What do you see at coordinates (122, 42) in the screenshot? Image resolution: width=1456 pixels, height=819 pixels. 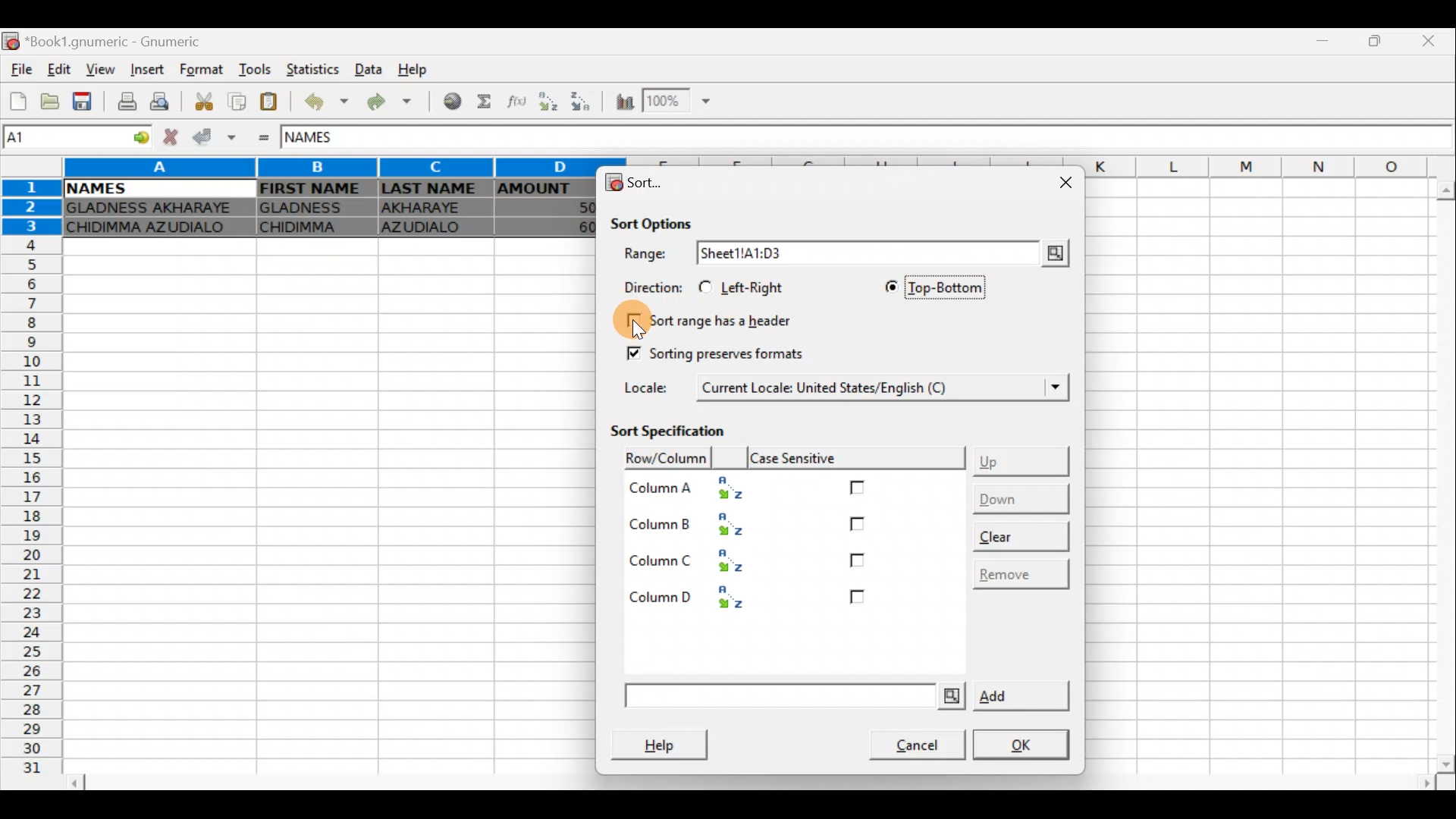 I see `*Book1.gnumeric - Gnumeric` at bounding box center [122, 42].